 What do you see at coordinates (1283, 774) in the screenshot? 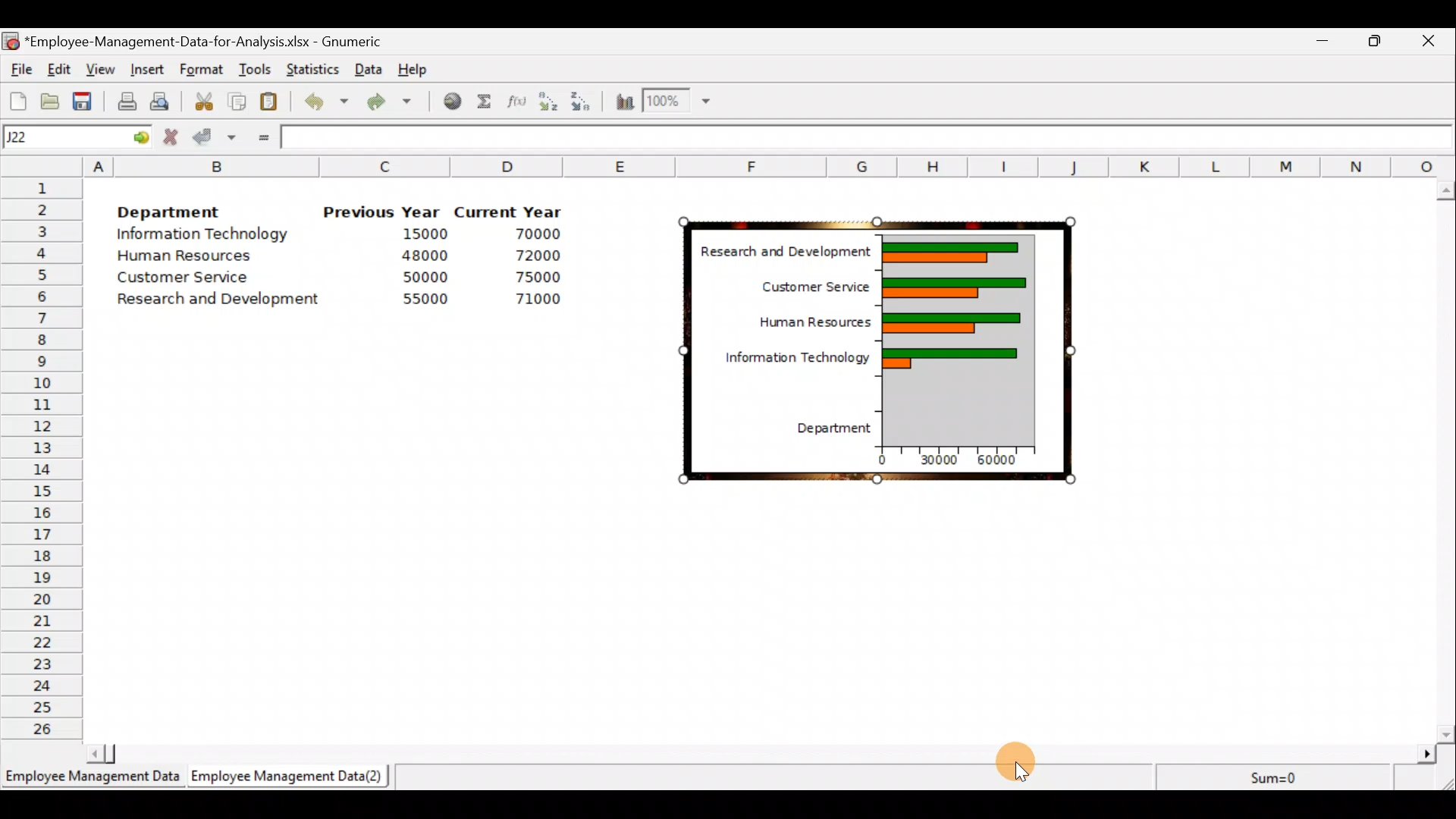
I see `Sum=0` at bounding box center [1283, 774].